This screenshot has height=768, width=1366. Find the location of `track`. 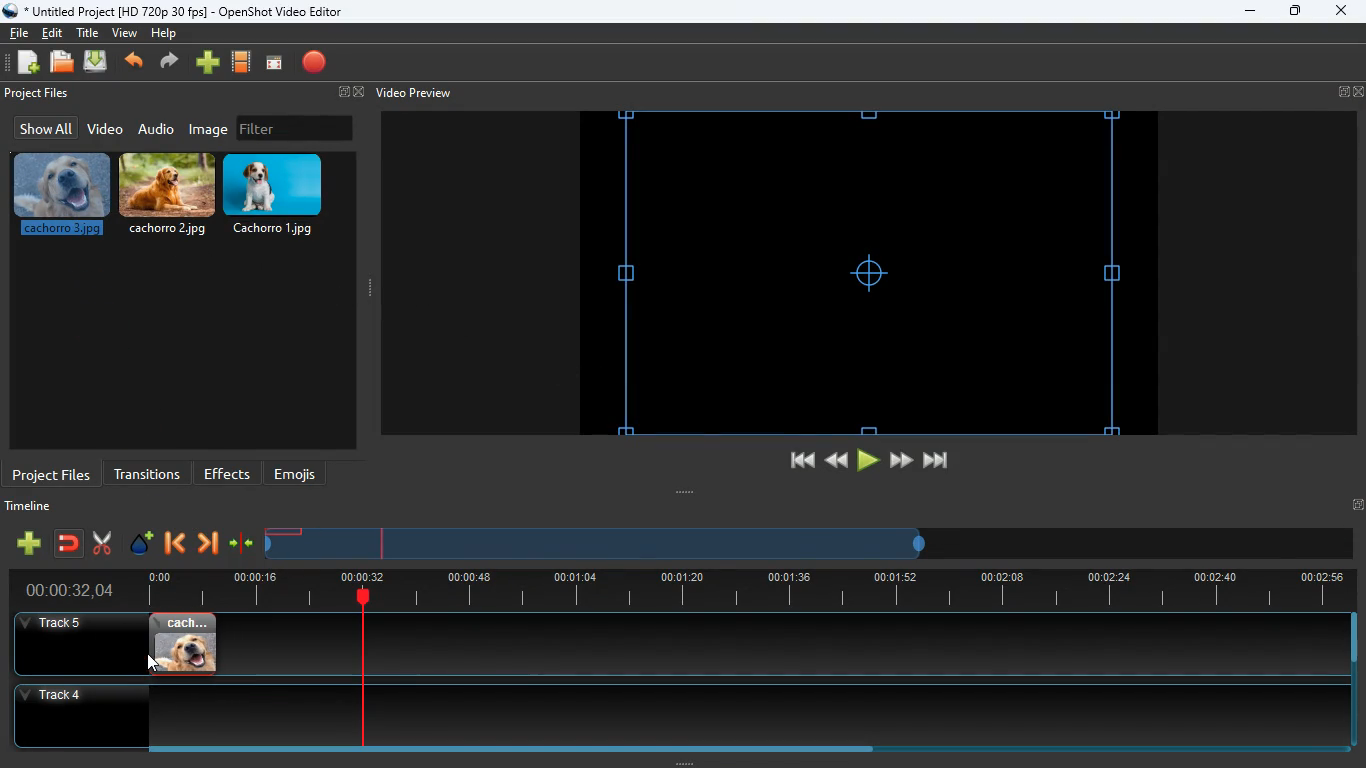

track is located at coordinates (663, 715).